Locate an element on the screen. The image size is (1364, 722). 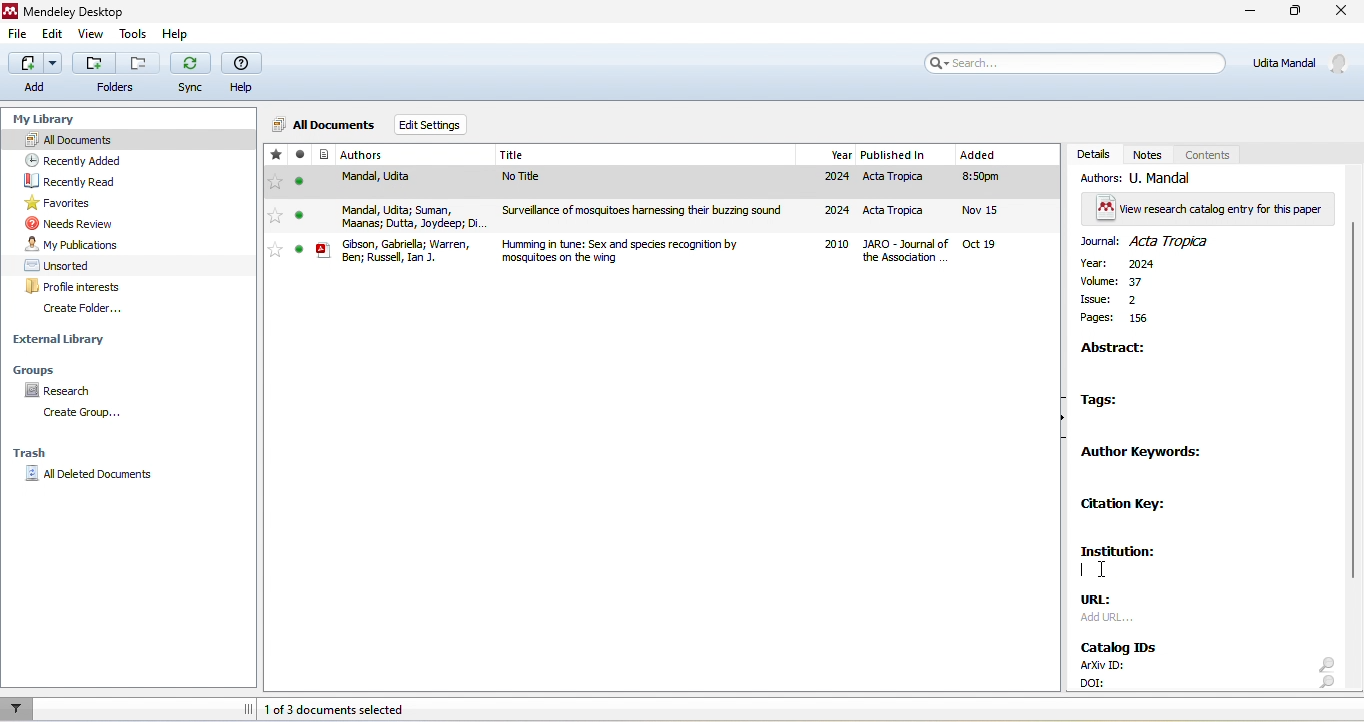
my library is located at coordinates (52, 120).